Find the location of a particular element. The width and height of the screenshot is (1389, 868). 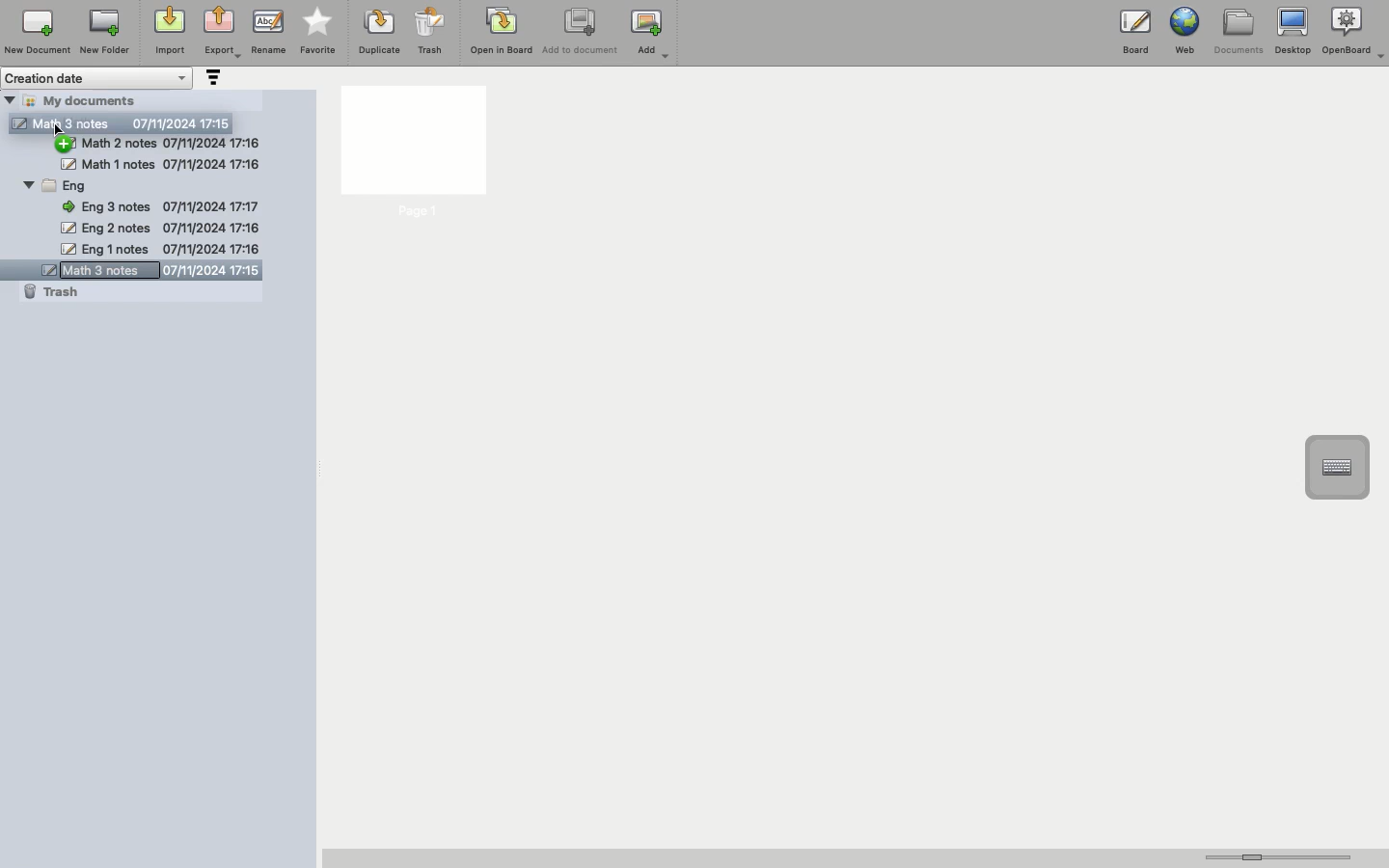

Open in board is located at coordinates (502, 30).